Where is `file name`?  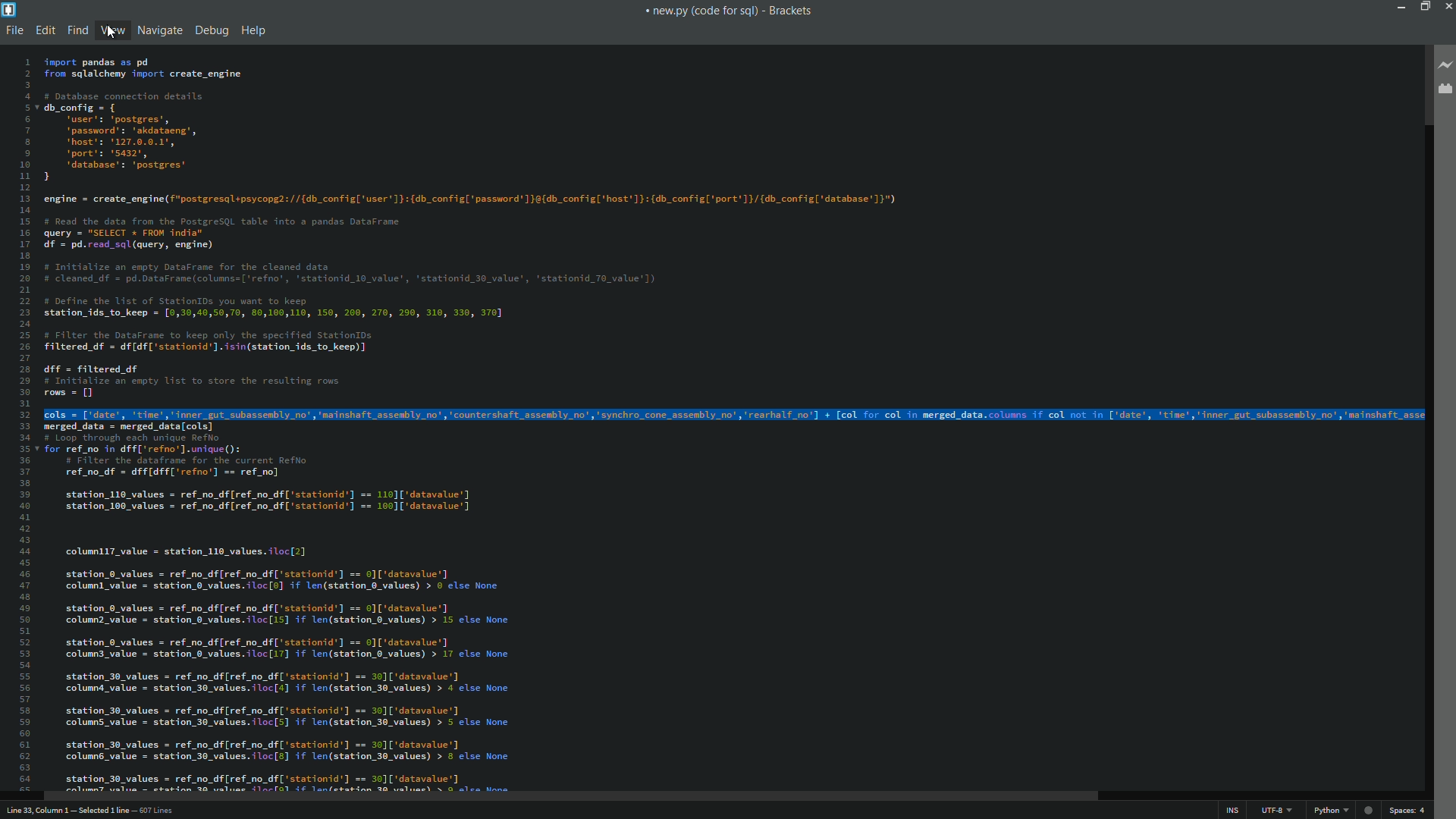 file name is located at coordinates (701, 11).